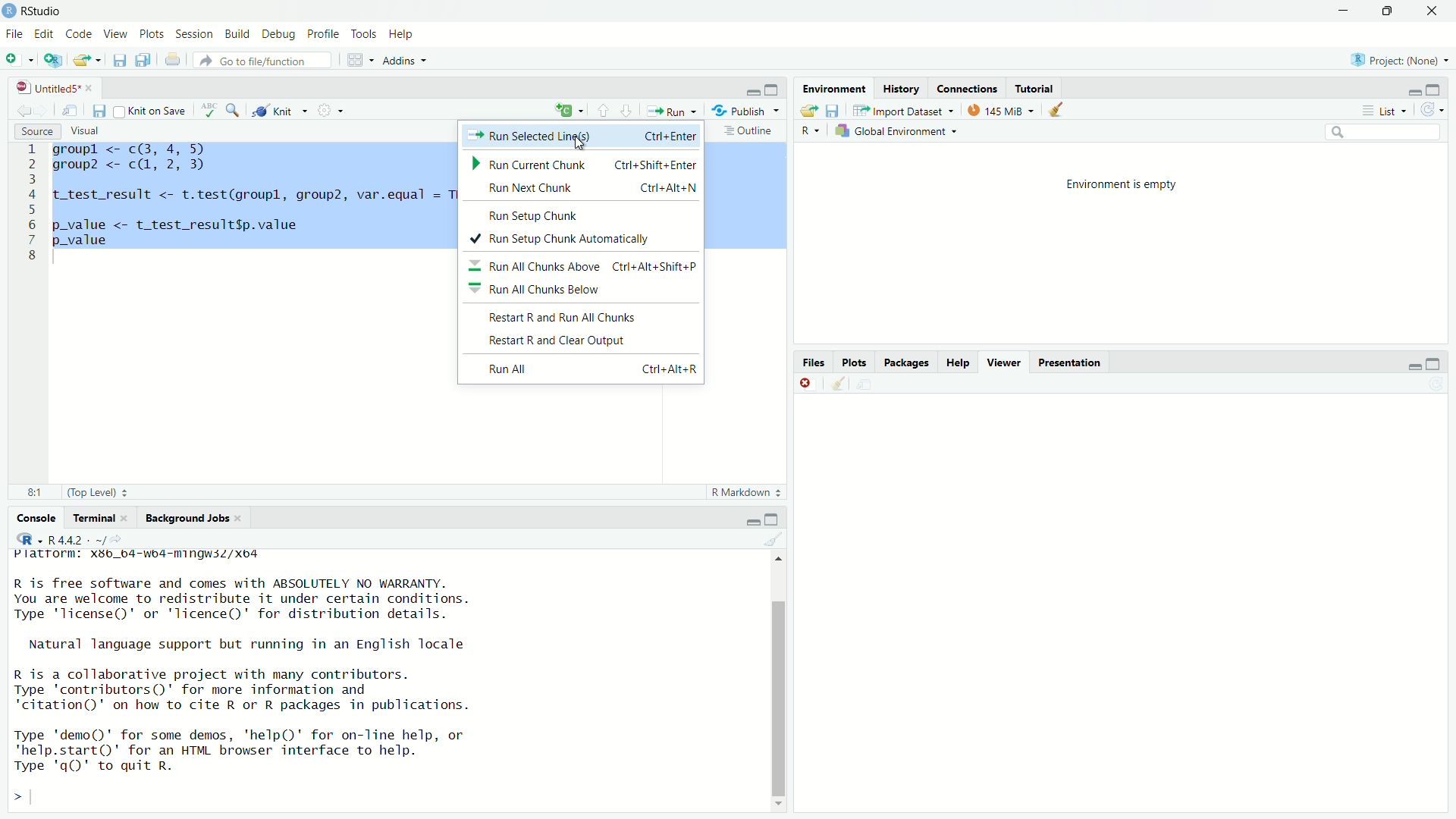 The image size is (1456, 819). Describe the element at coordinates (1072, 362) in the screenshot. I see `Presentation` at that location.